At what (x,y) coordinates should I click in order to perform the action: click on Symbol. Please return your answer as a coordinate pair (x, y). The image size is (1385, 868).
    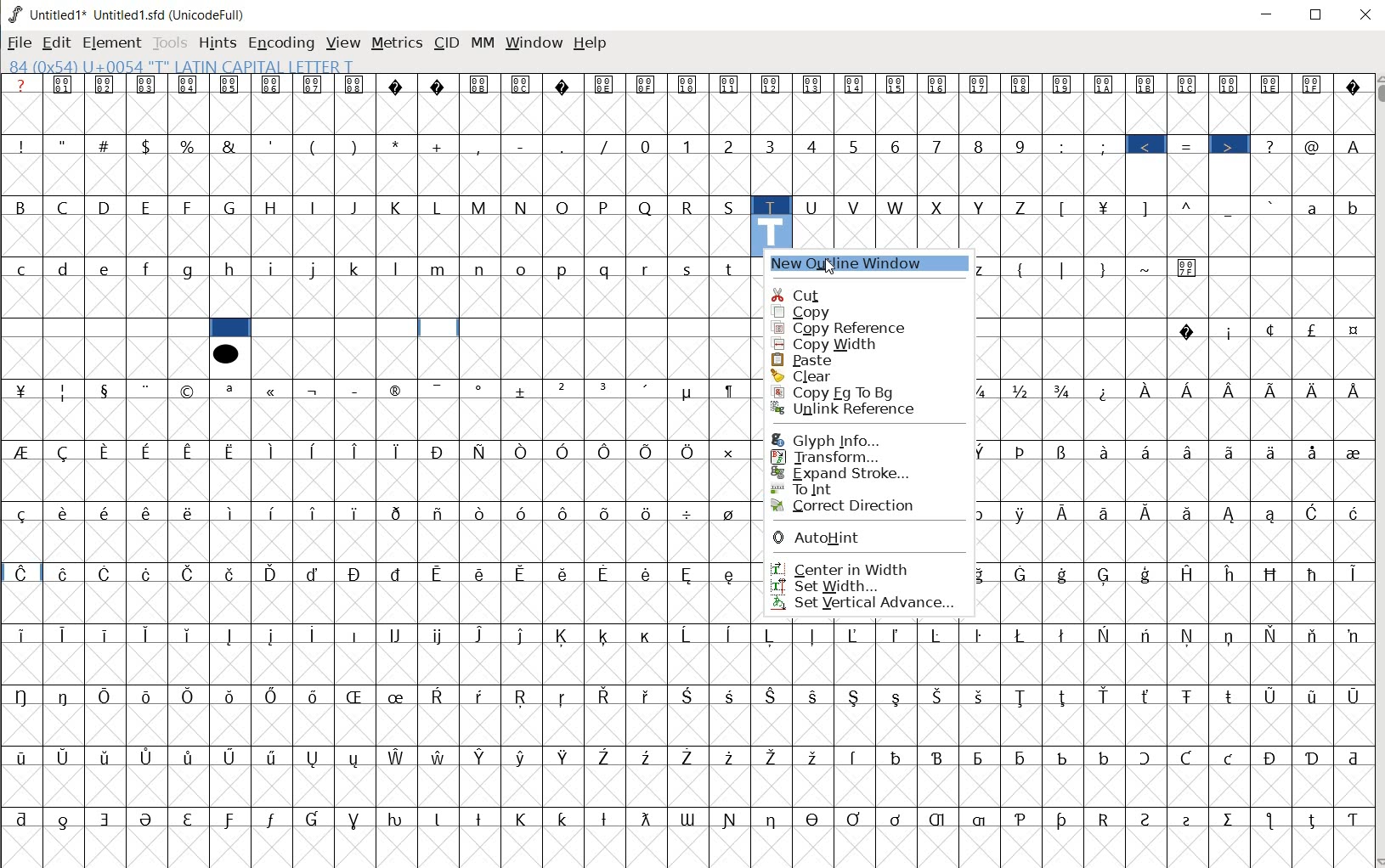
    Looking at the image, I should click on (1063, 391).